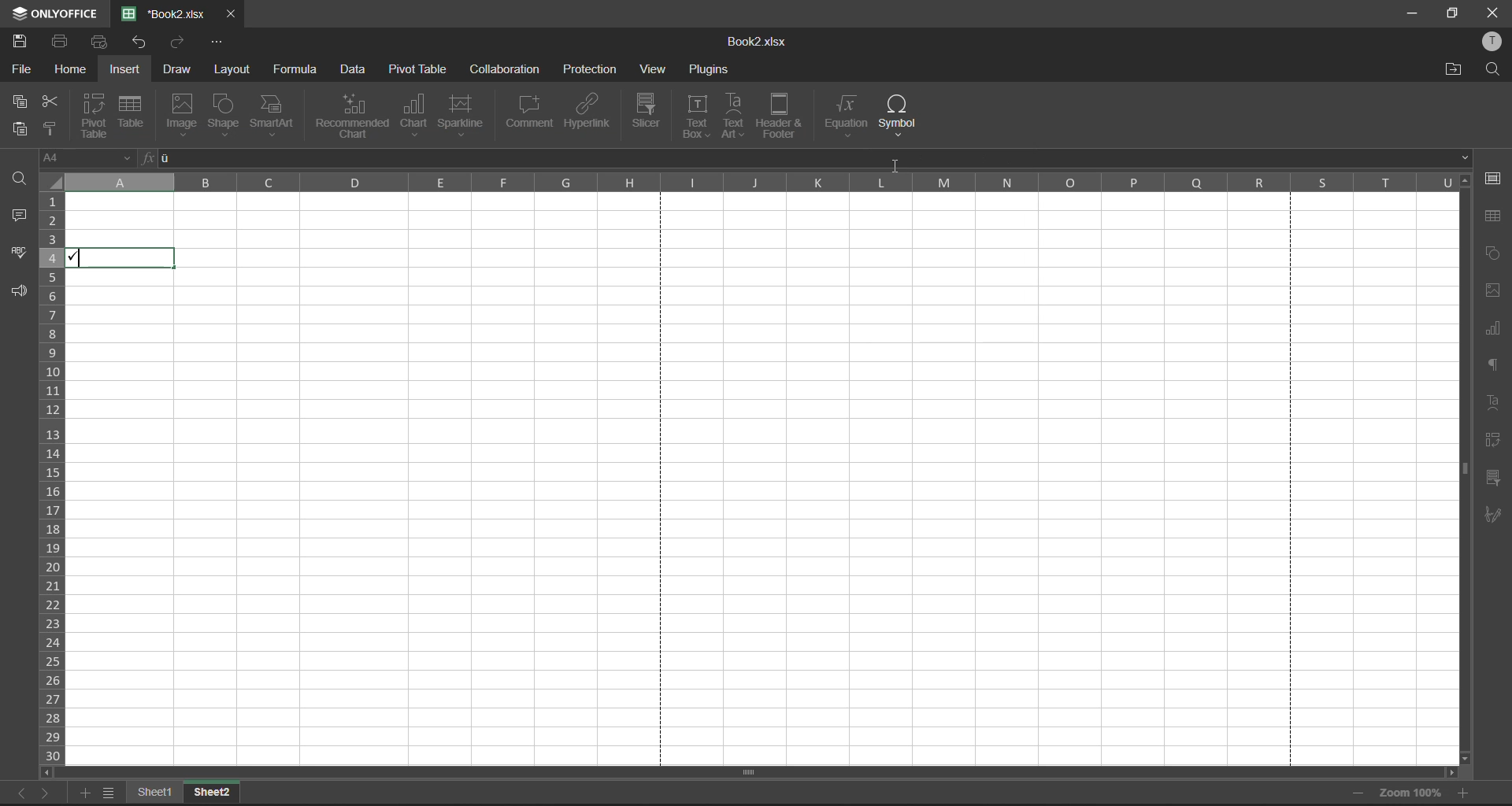 The image size is (1512, 806). What do you see at coordinates (752, 42) in the screenshot?
I see `Book2.xlsx` at bounding box center [752, 42].